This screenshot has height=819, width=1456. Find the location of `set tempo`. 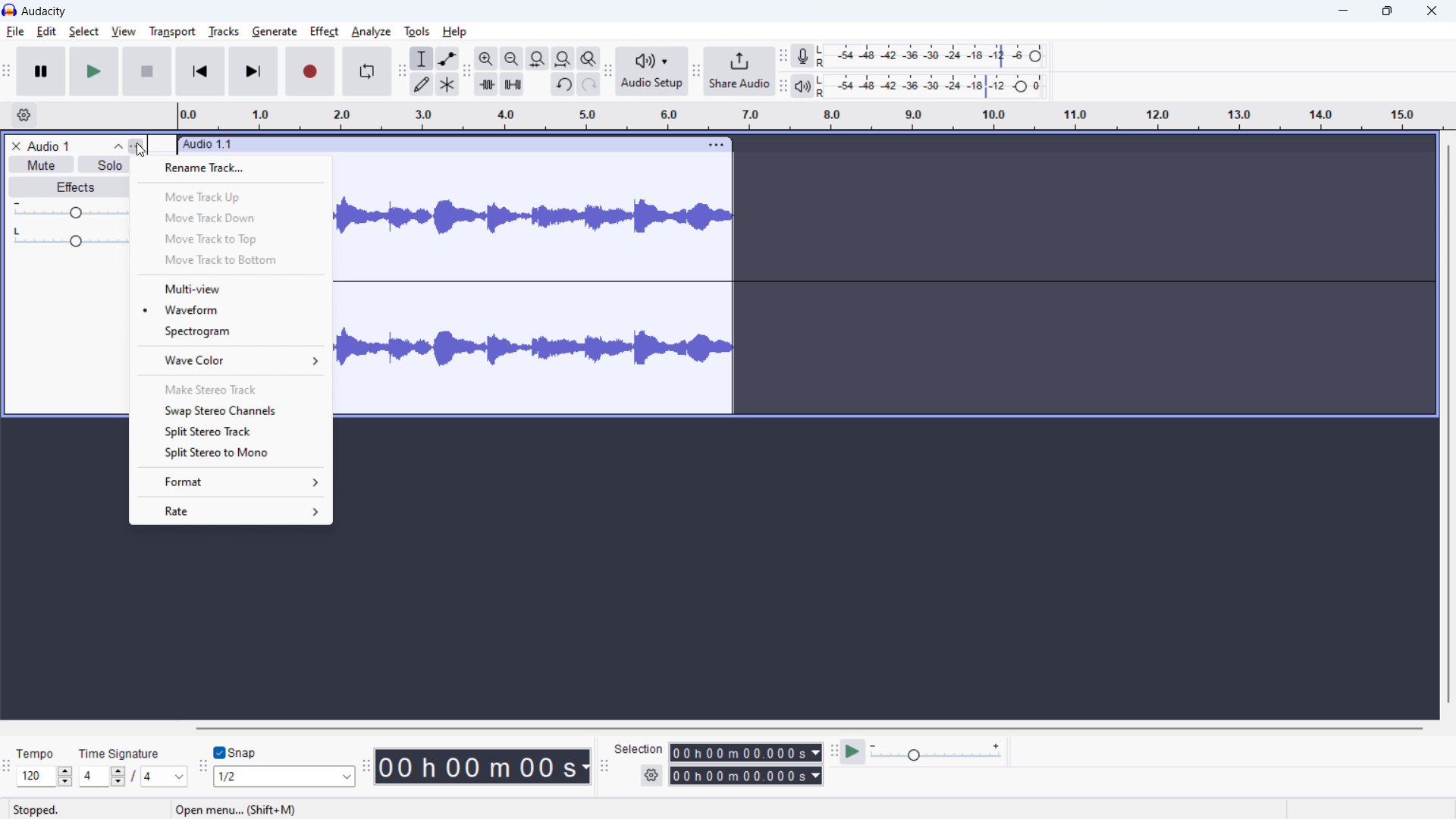

set tempo is located at coordinates (44, 777).